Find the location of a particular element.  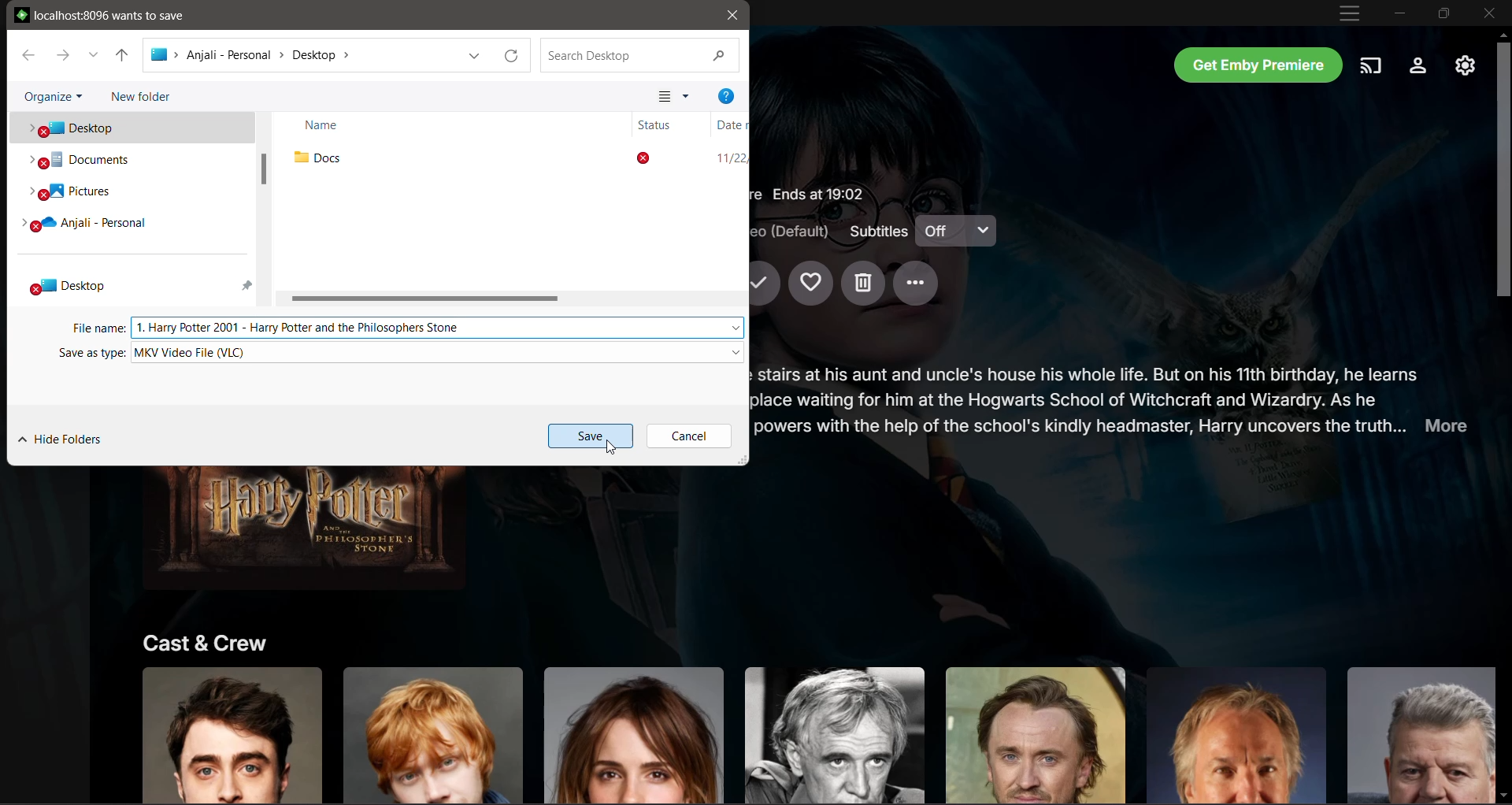

Restore Down is located at coordinates (1443, 13).